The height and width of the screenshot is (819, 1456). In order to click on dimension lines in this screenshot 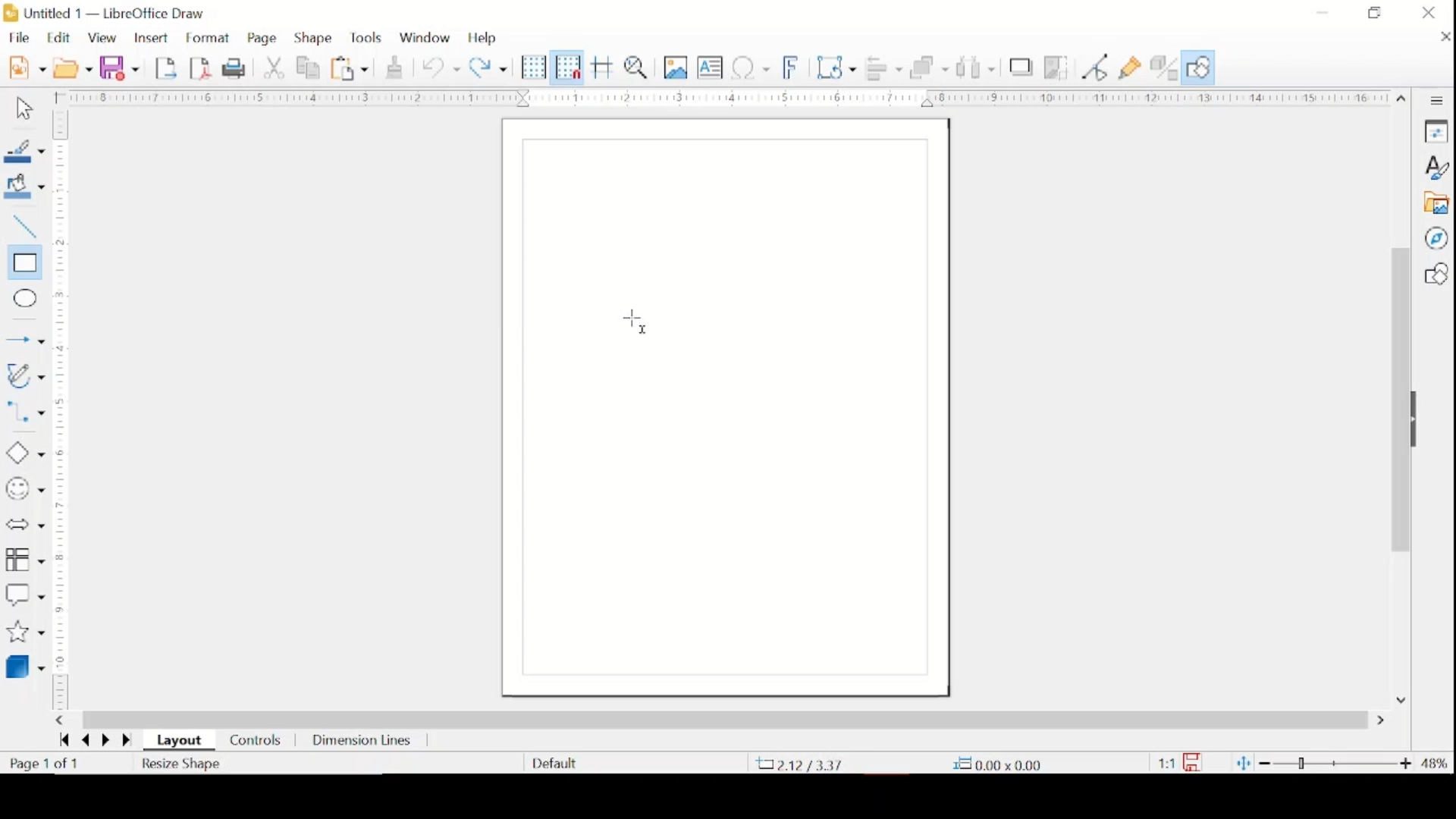, I will do `click(363, 742)`.